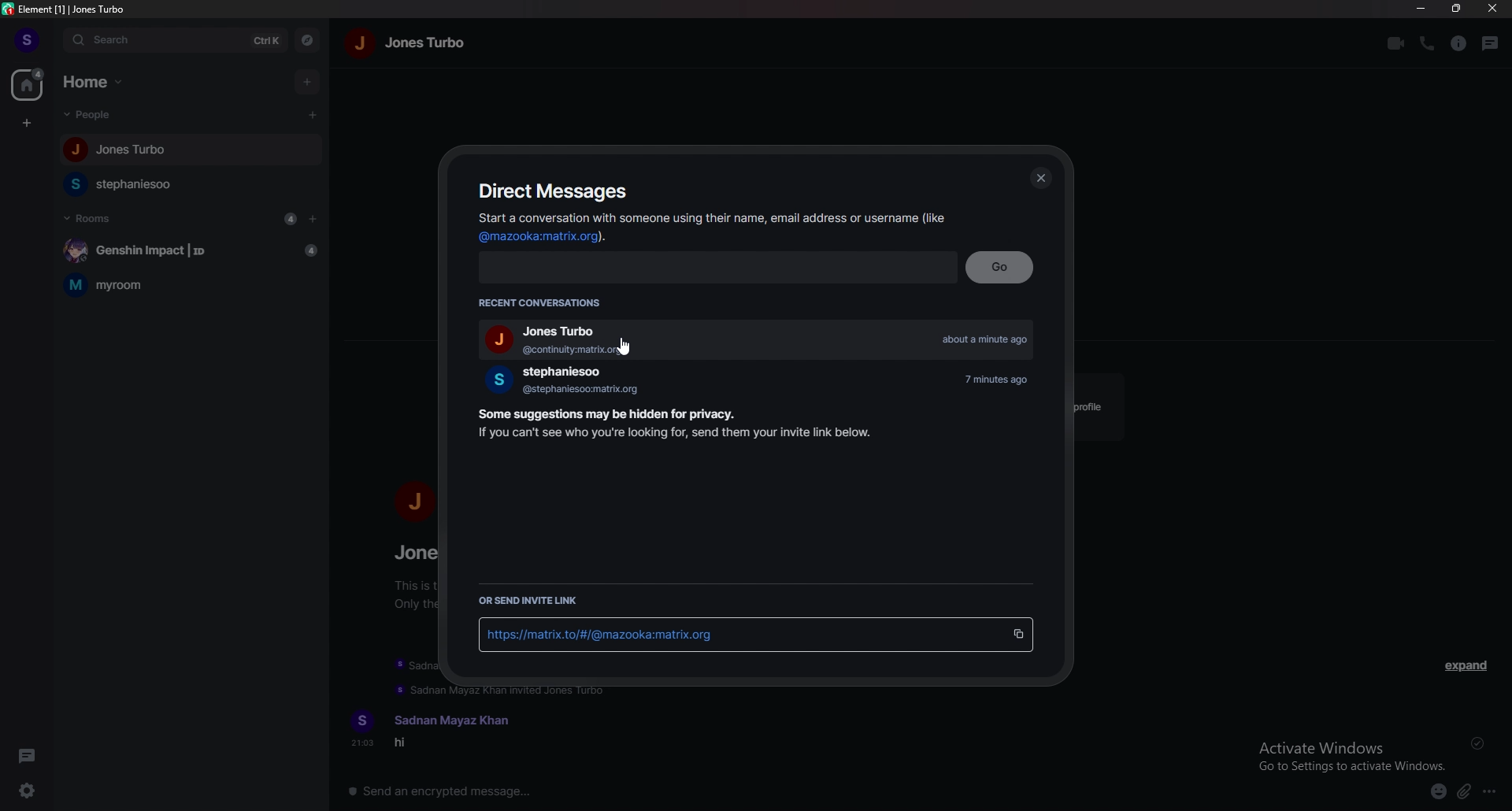 The image size is (1512, 811). Describe the element at coordinates (30, 790) in the screenshot. I see `quick settings` at that location.